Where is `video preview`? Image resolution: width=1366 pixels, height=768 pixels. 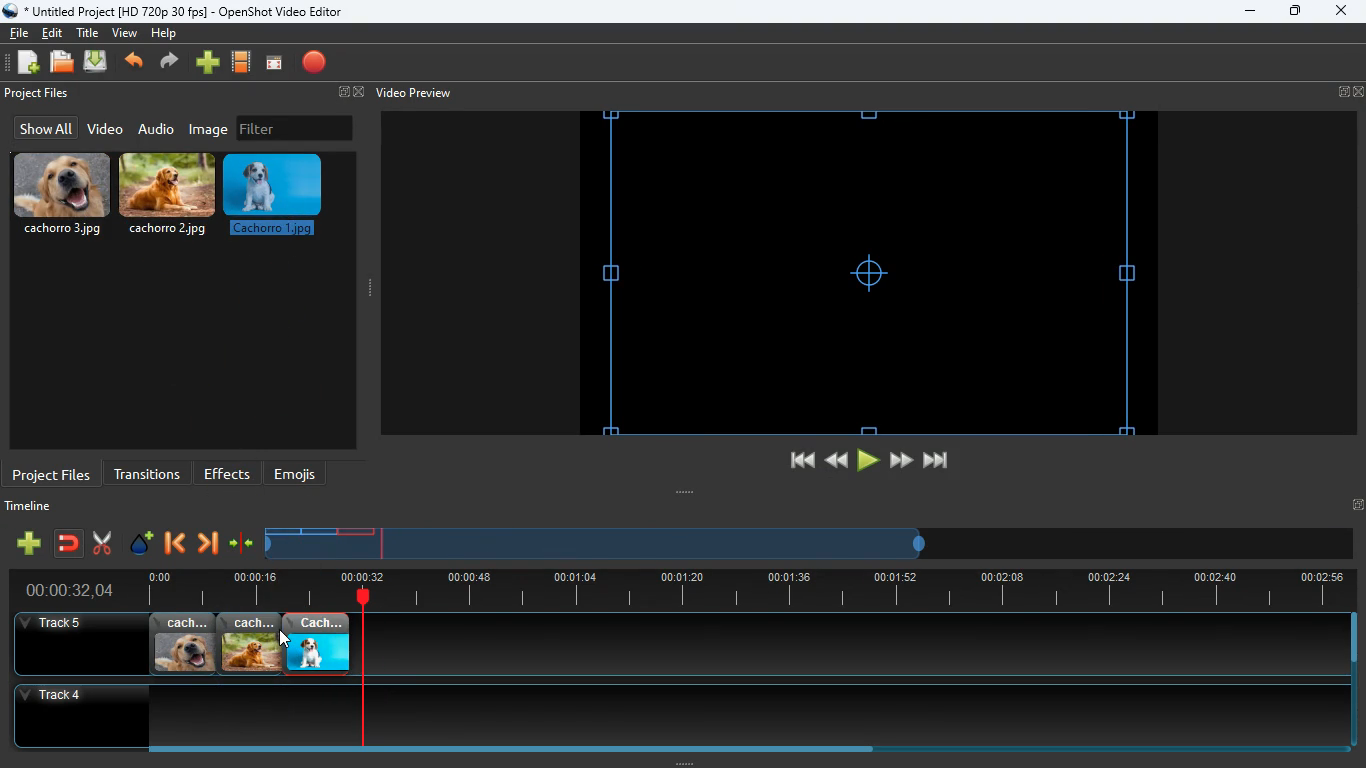 video preview is located at coordinates (412, 93).